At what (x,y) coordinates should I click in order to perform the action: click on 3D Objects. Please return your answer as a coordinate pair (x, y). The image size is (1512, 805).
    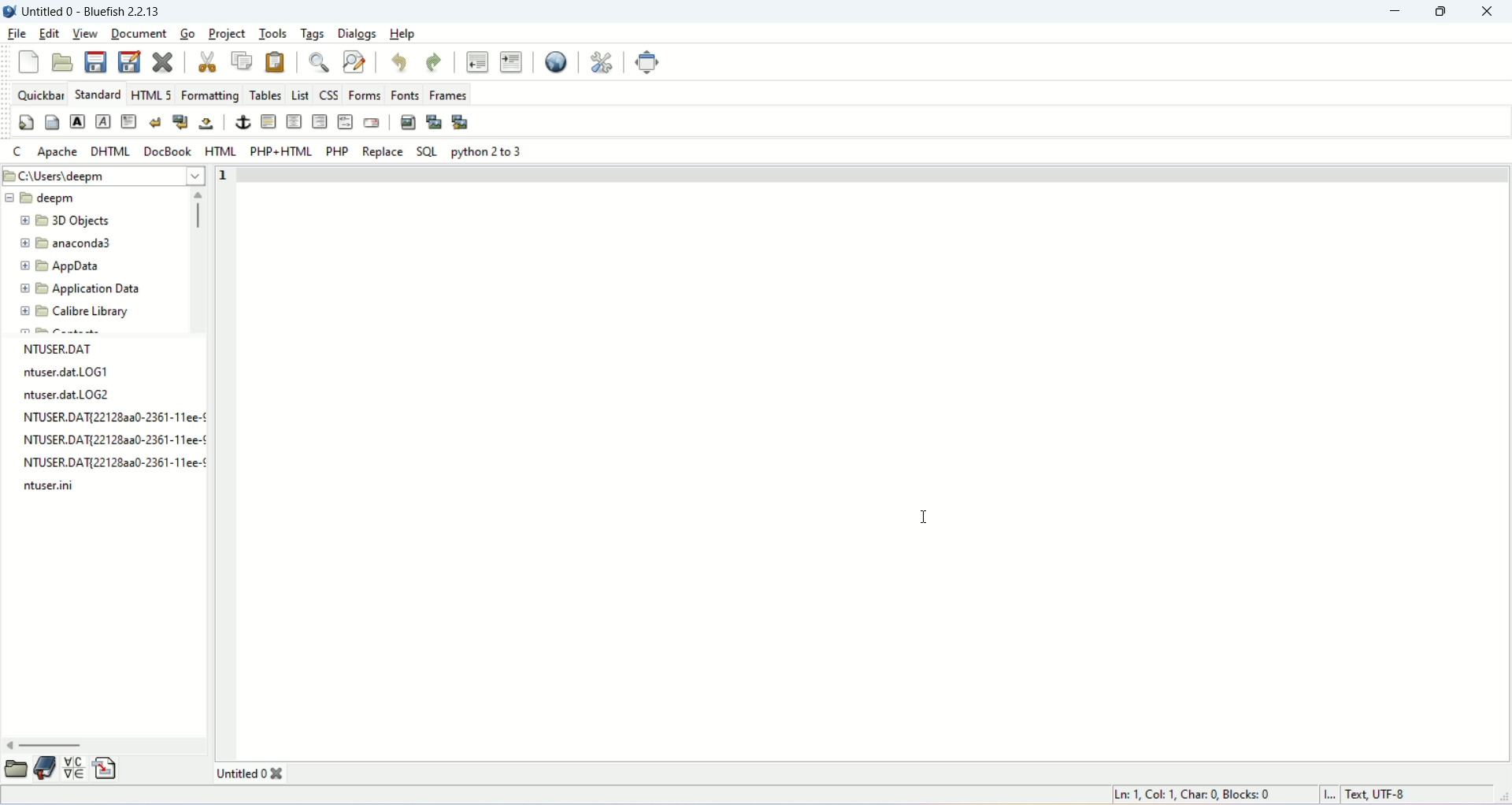
    Looking at the image, I should click on (83, 221).